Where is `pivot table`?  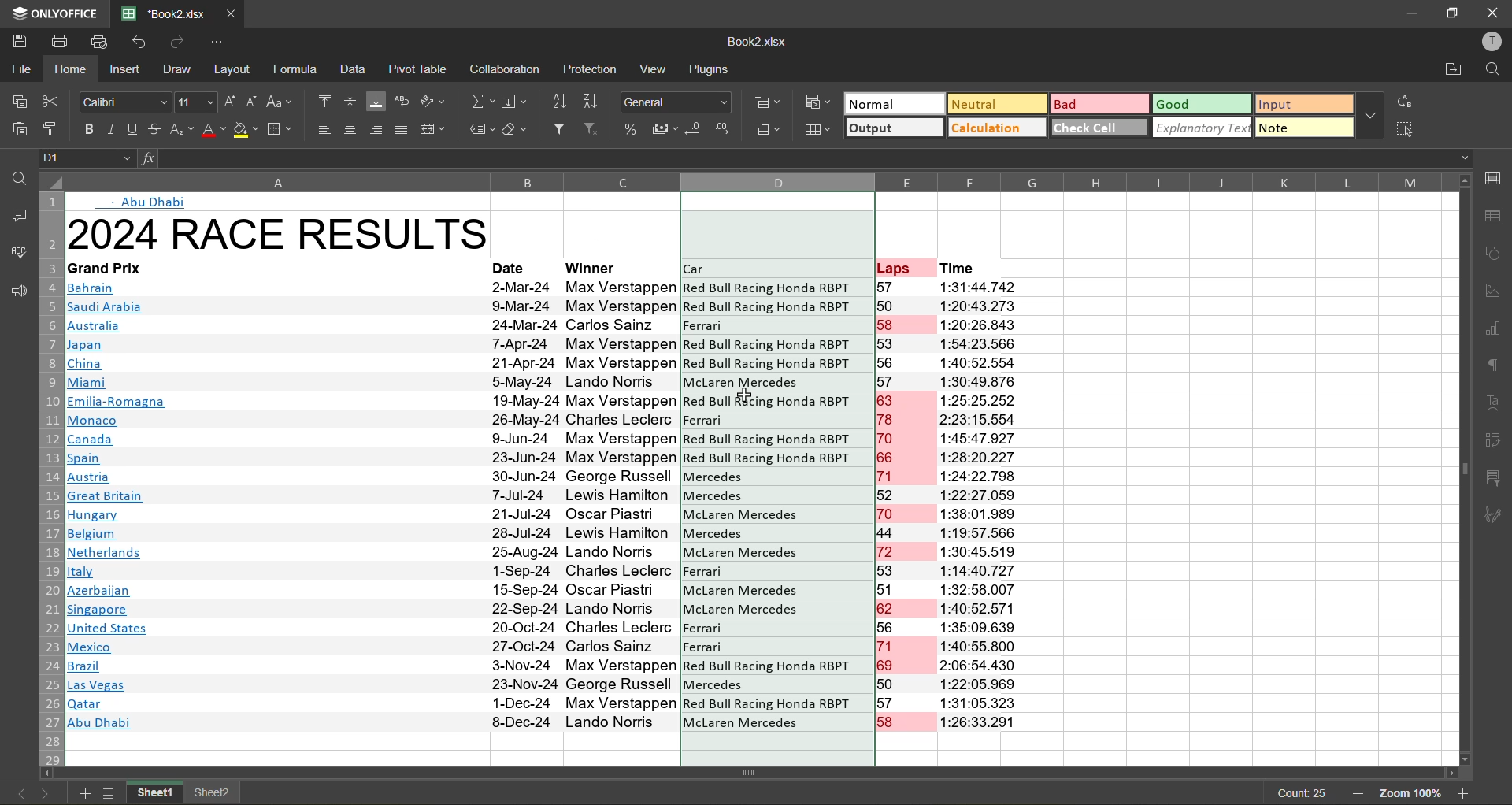
pivot table is located at coordinates (1497, 443).